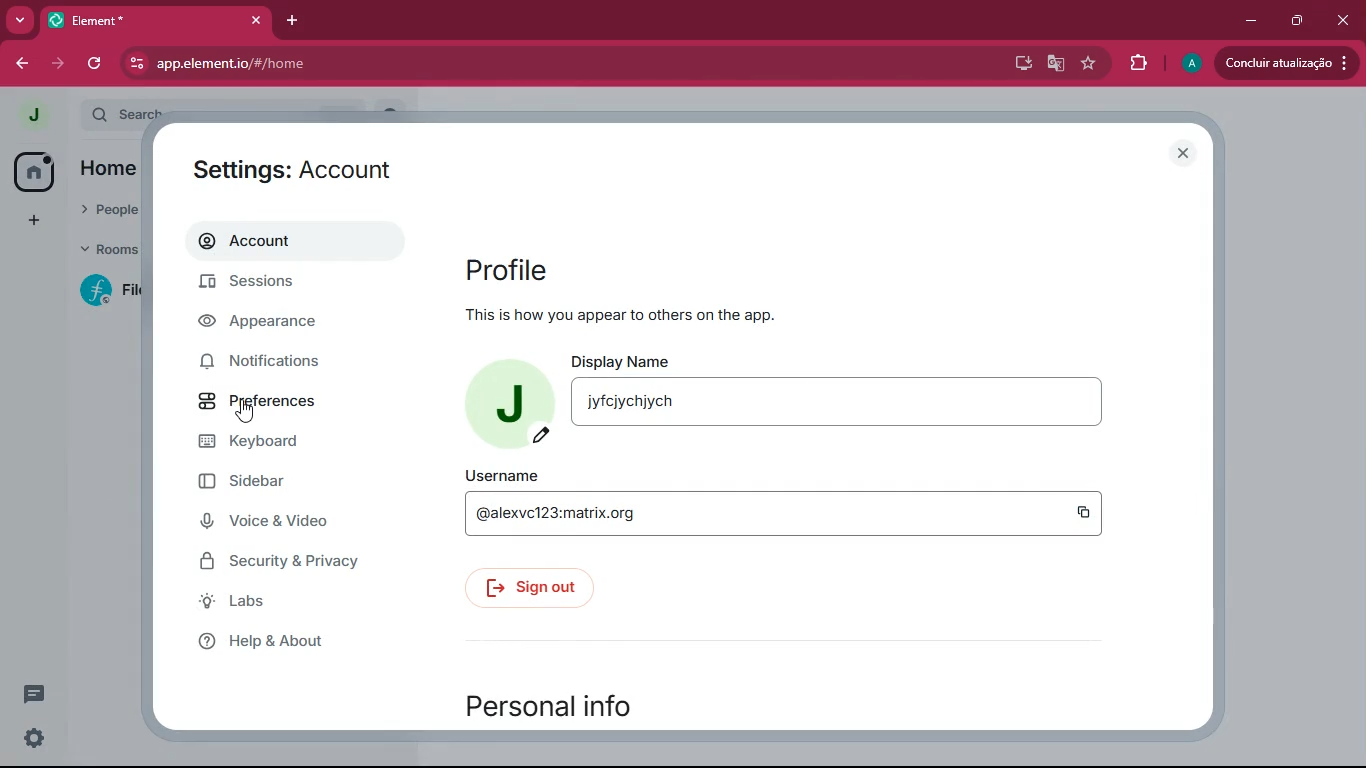  I want to click on help & about, so click(295, 645).